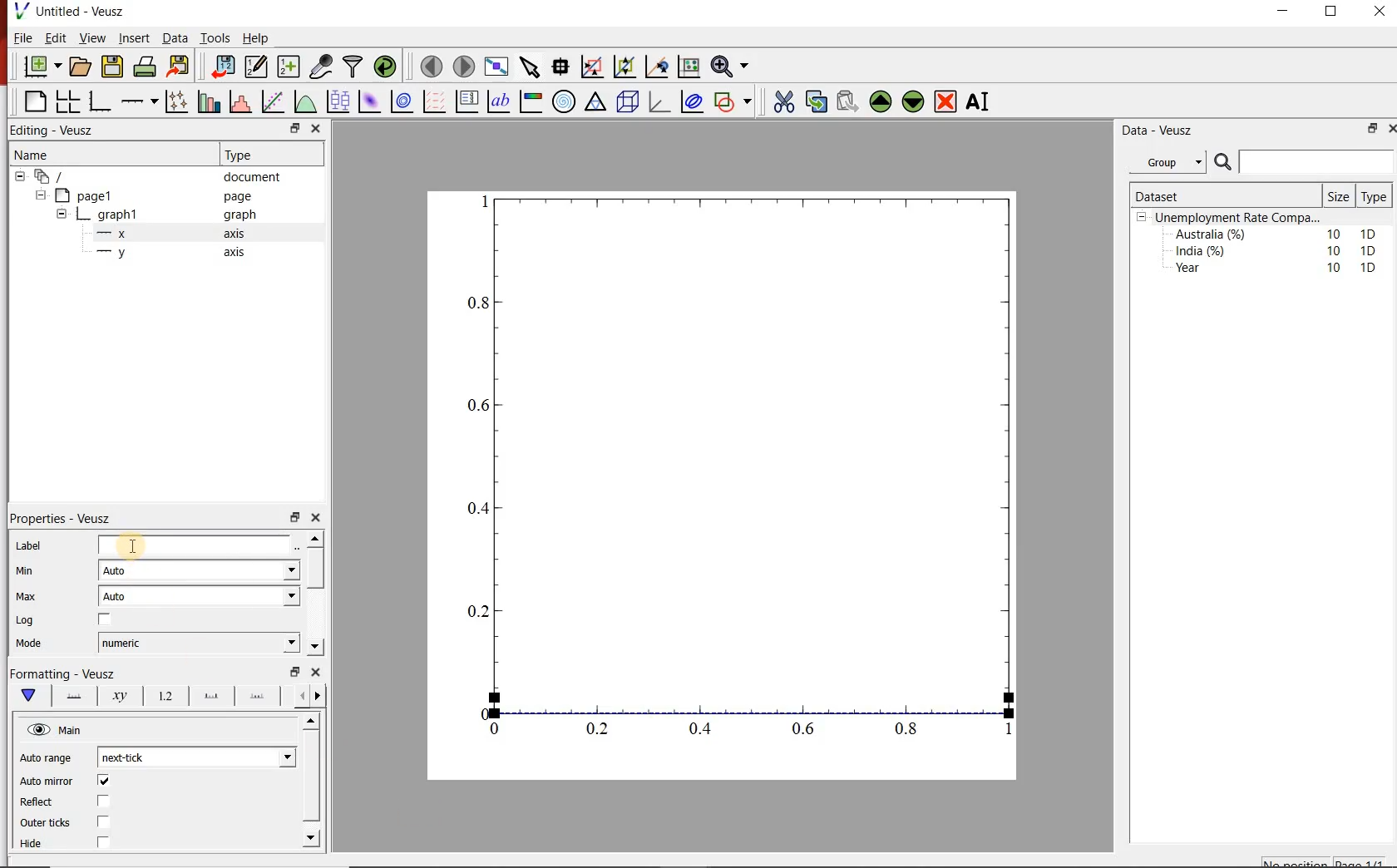  I want to click on collapse, so click(61, 216).